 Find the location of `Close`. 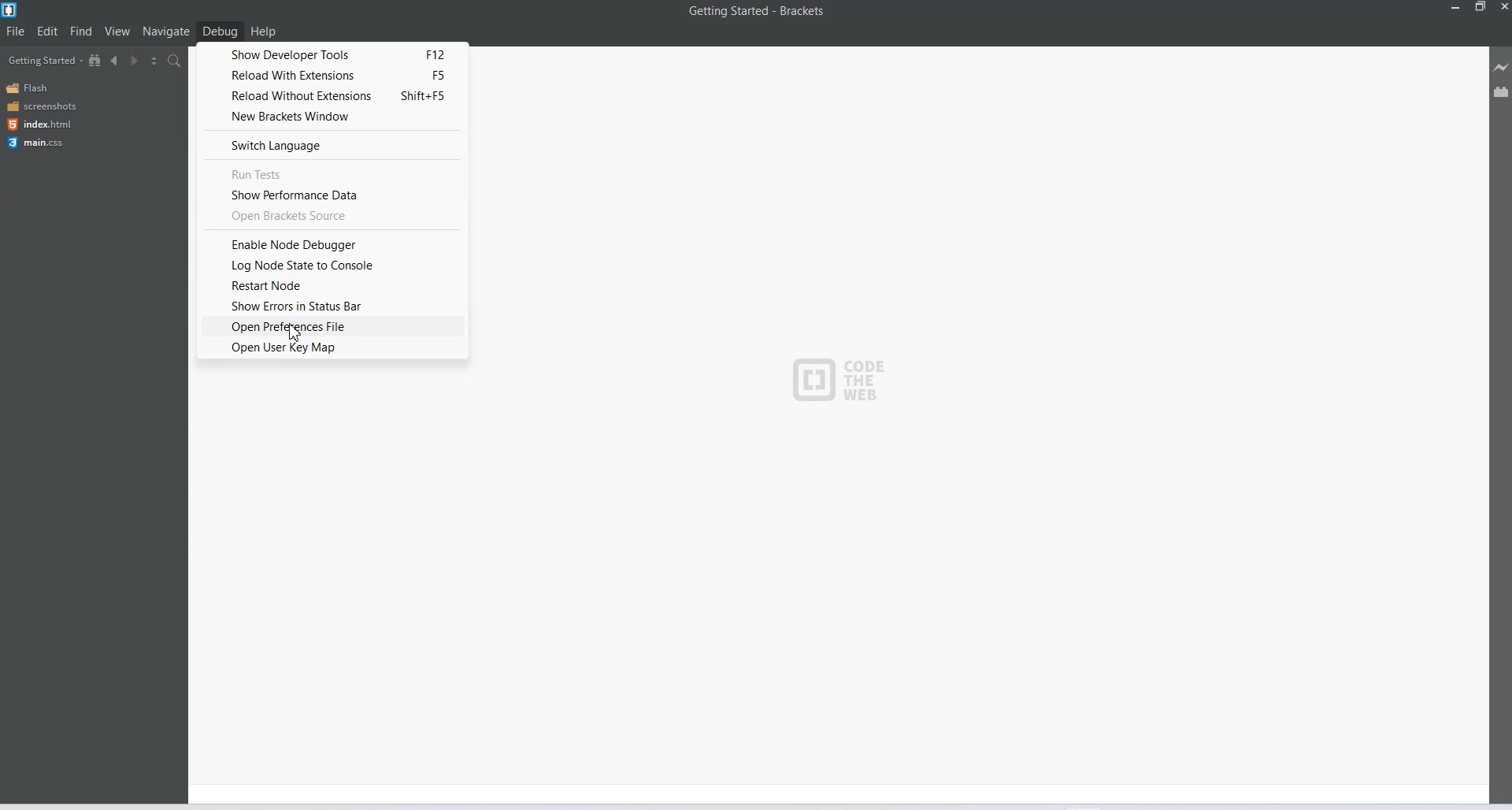

Close is located at coordinates (1503, 9).